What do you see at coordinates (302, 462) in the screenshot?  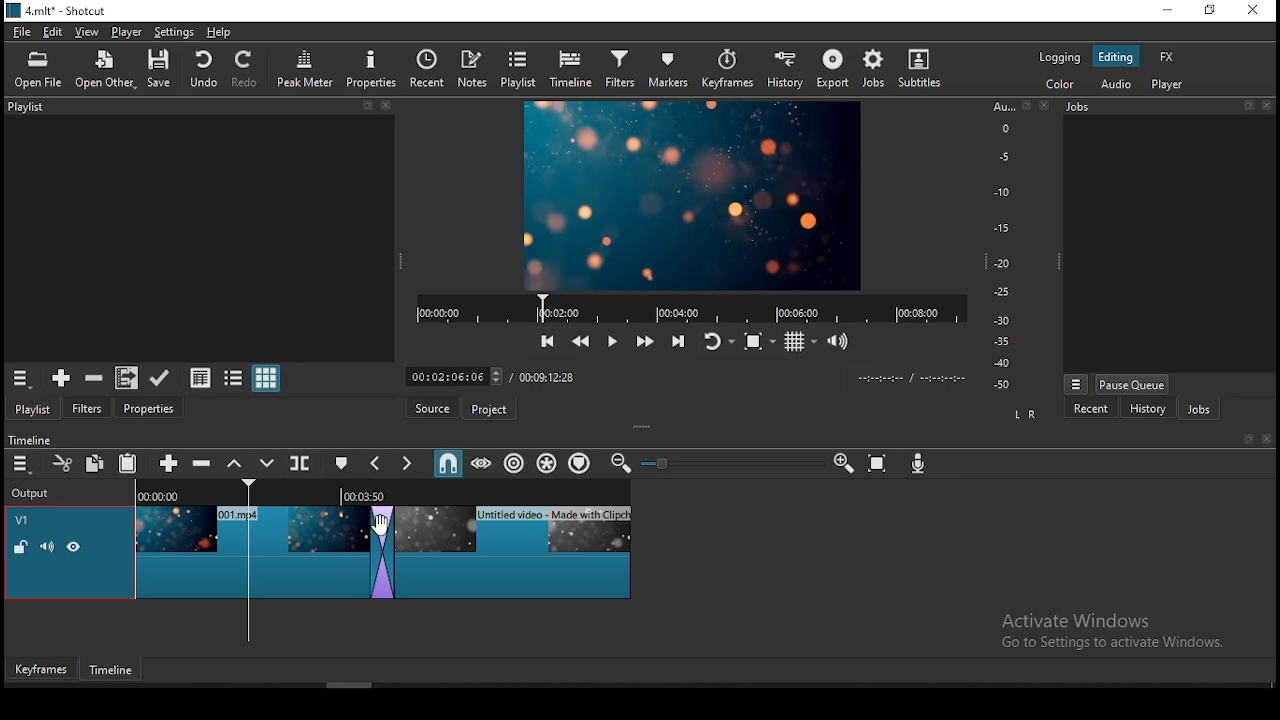 I see `split at playhead` at bounding box center [302, 462].